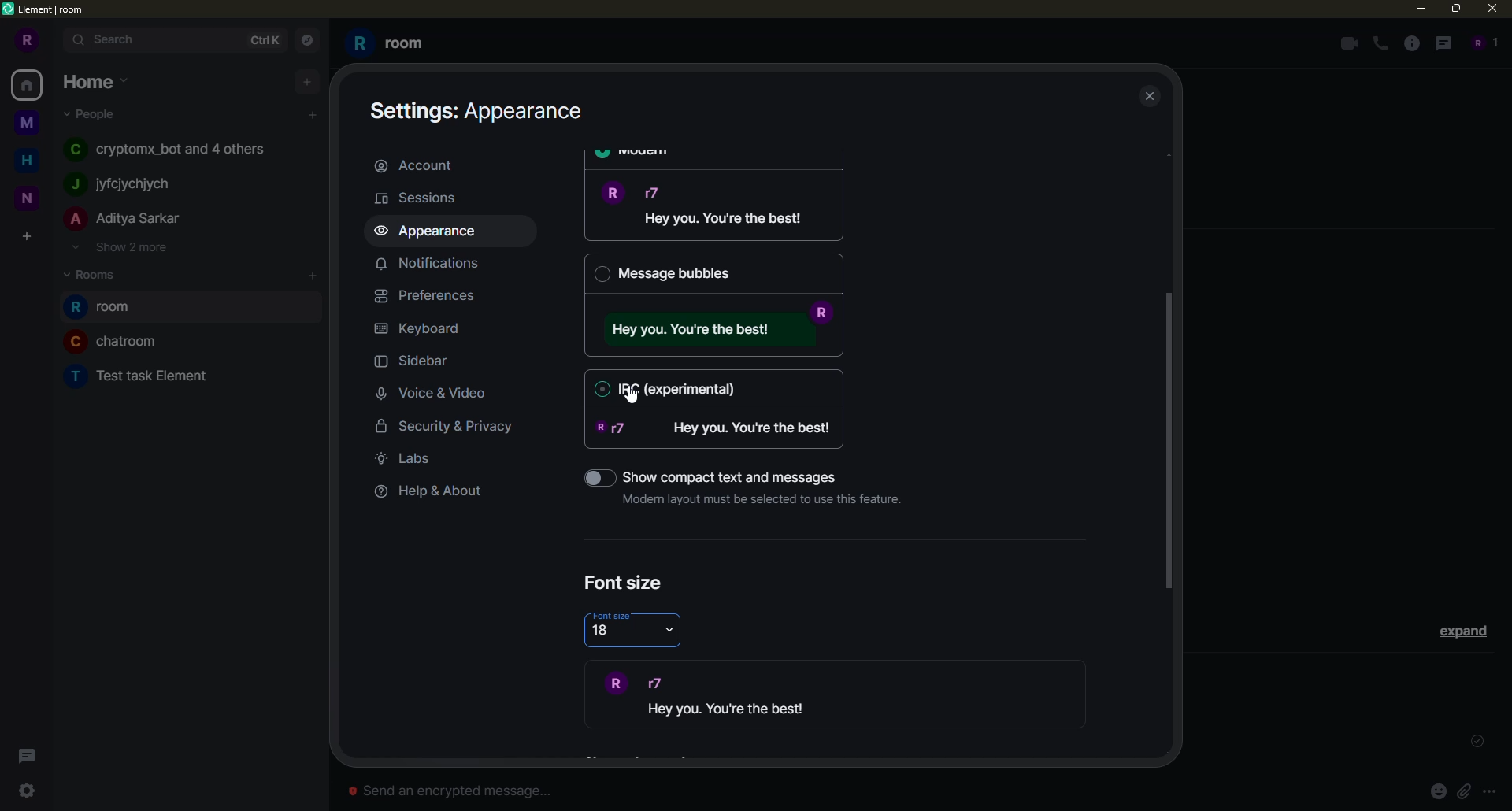 This screenshot has height=811, width=1512. Describe the element at coordinates (428, 295) in the screenshot. I see `preferences` at that location.